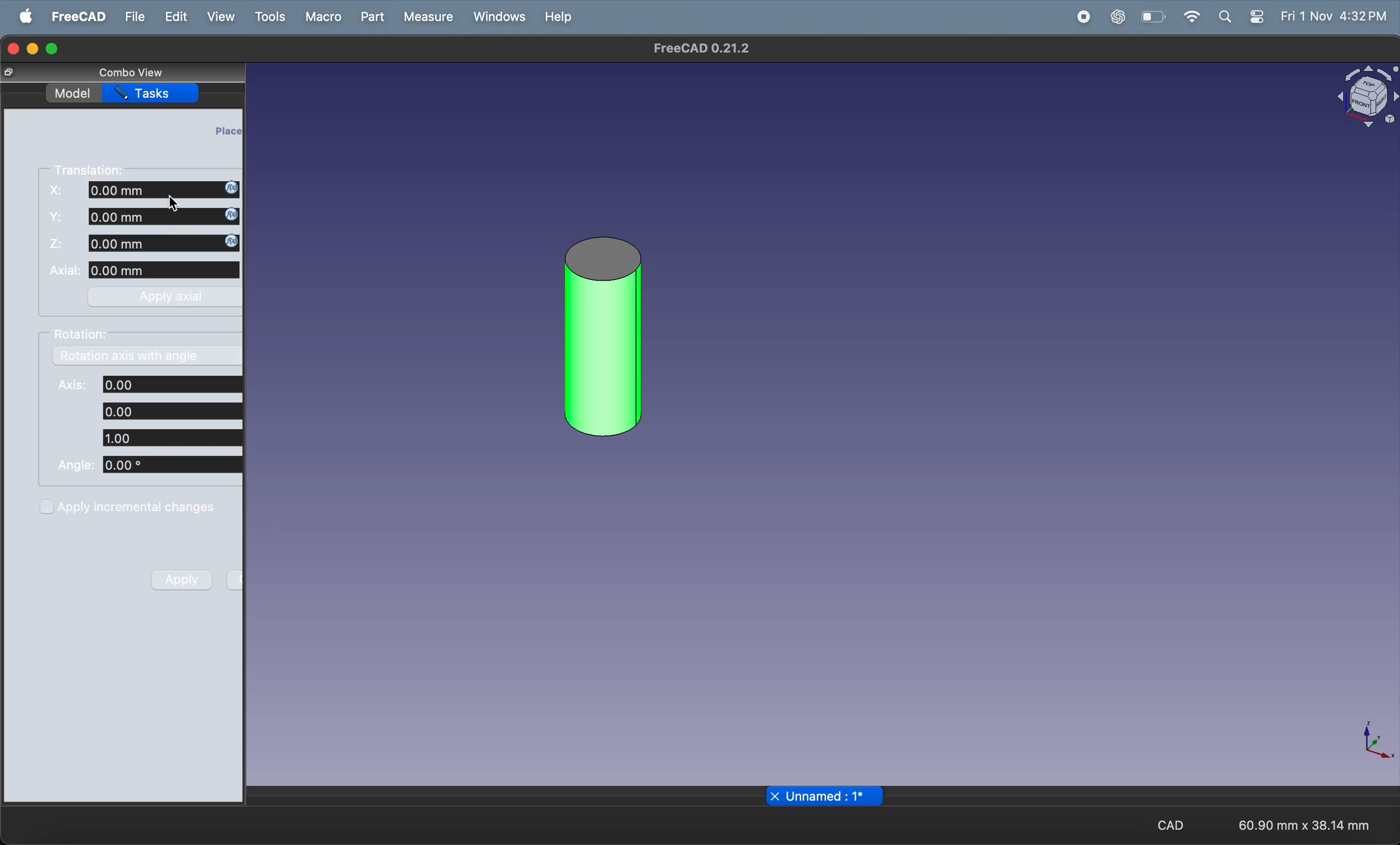 This screenshot has width=1400, height=845. Describe the element at coordinates (1241, 18) in the screenshot. I see `apple widgets` at that location.